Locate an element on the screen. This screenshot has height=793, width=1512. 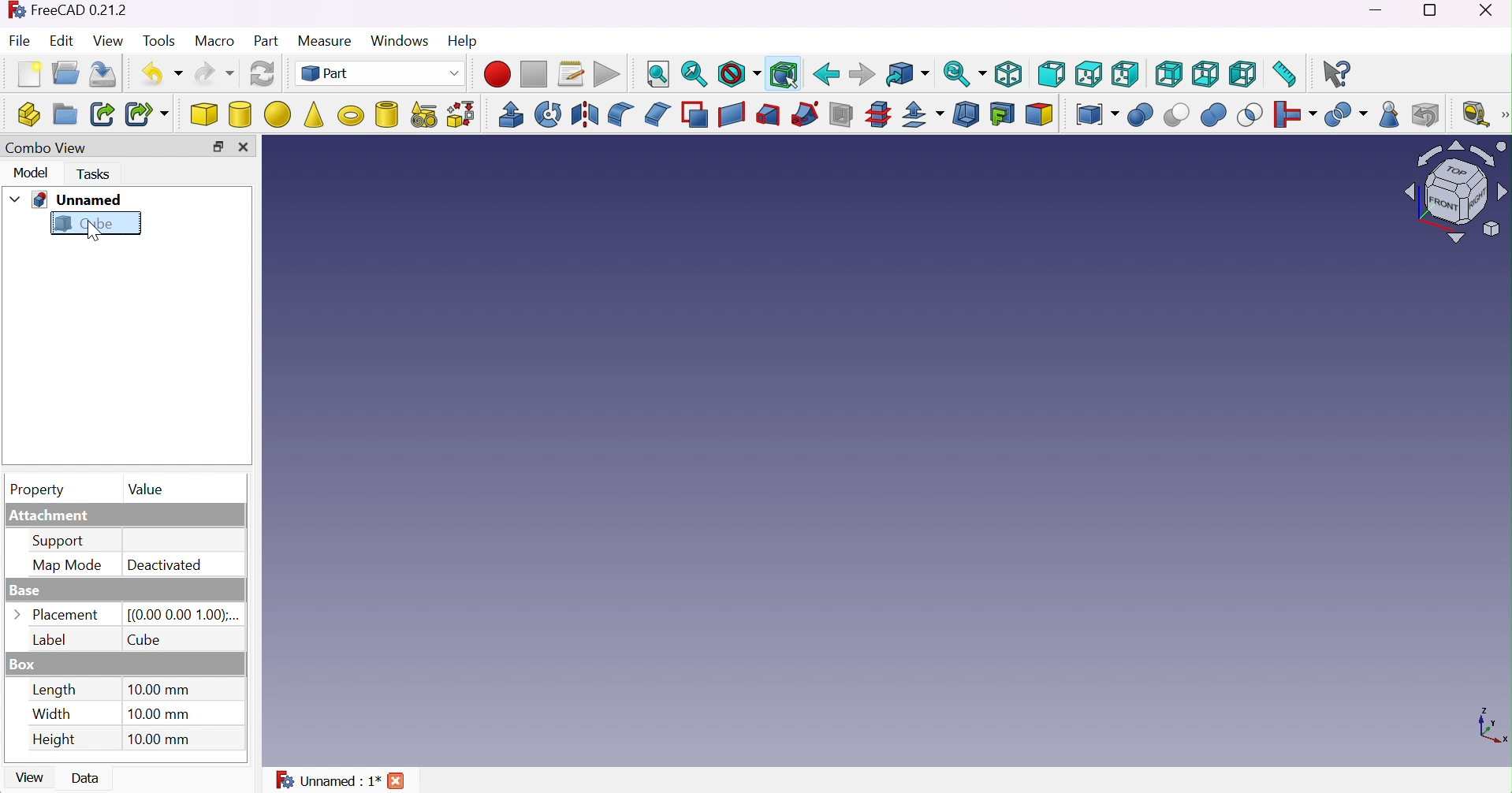
Measure is located at coordinates (326, 41).